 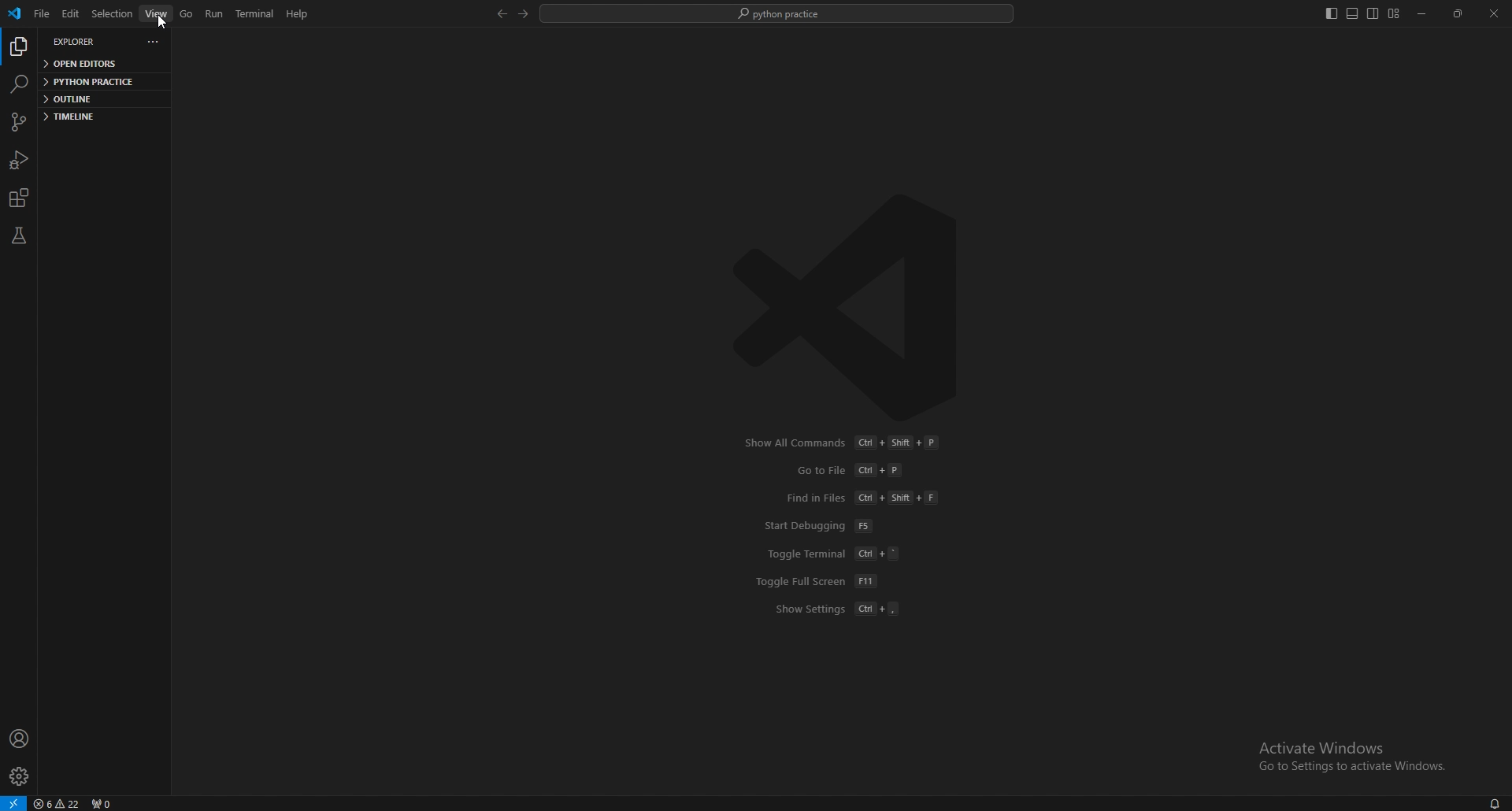 What do you see at coordinates (1352, 14) in the screenshot?
I see `toggle panel` at bounding box center [1352, 14].